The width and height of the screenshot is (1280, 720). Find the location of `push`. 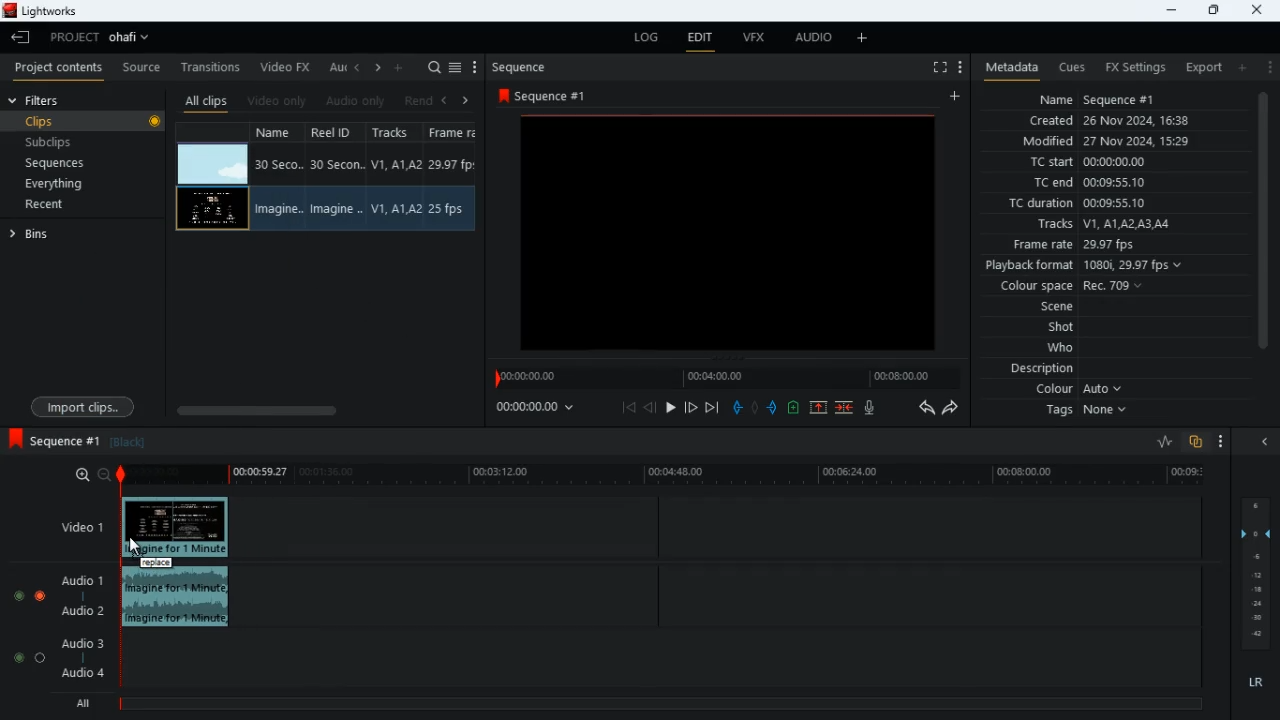

push is located at coordinates (775, 409).